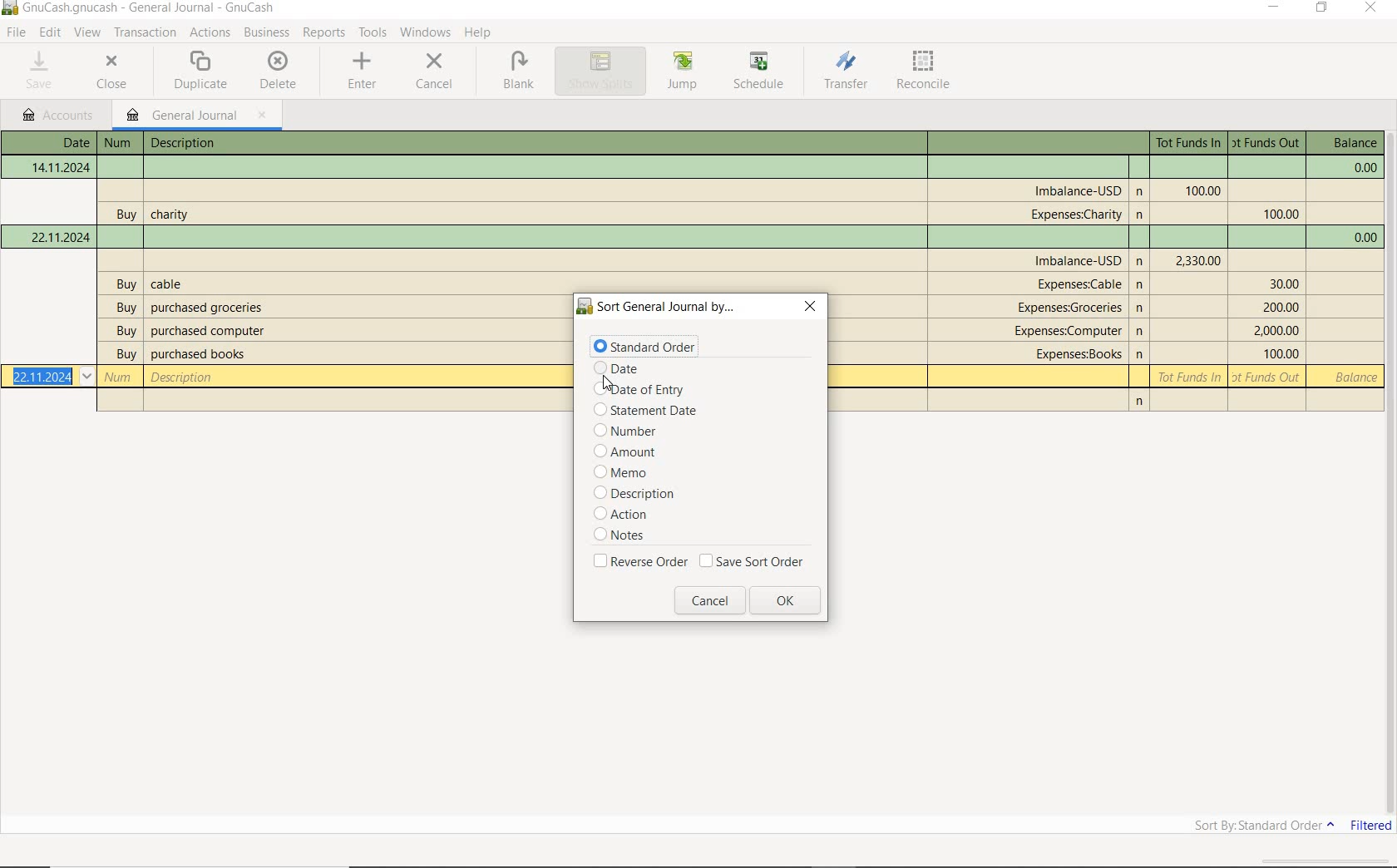 The image size is (1397, 868). I want to click on notes, so click(621, 538).